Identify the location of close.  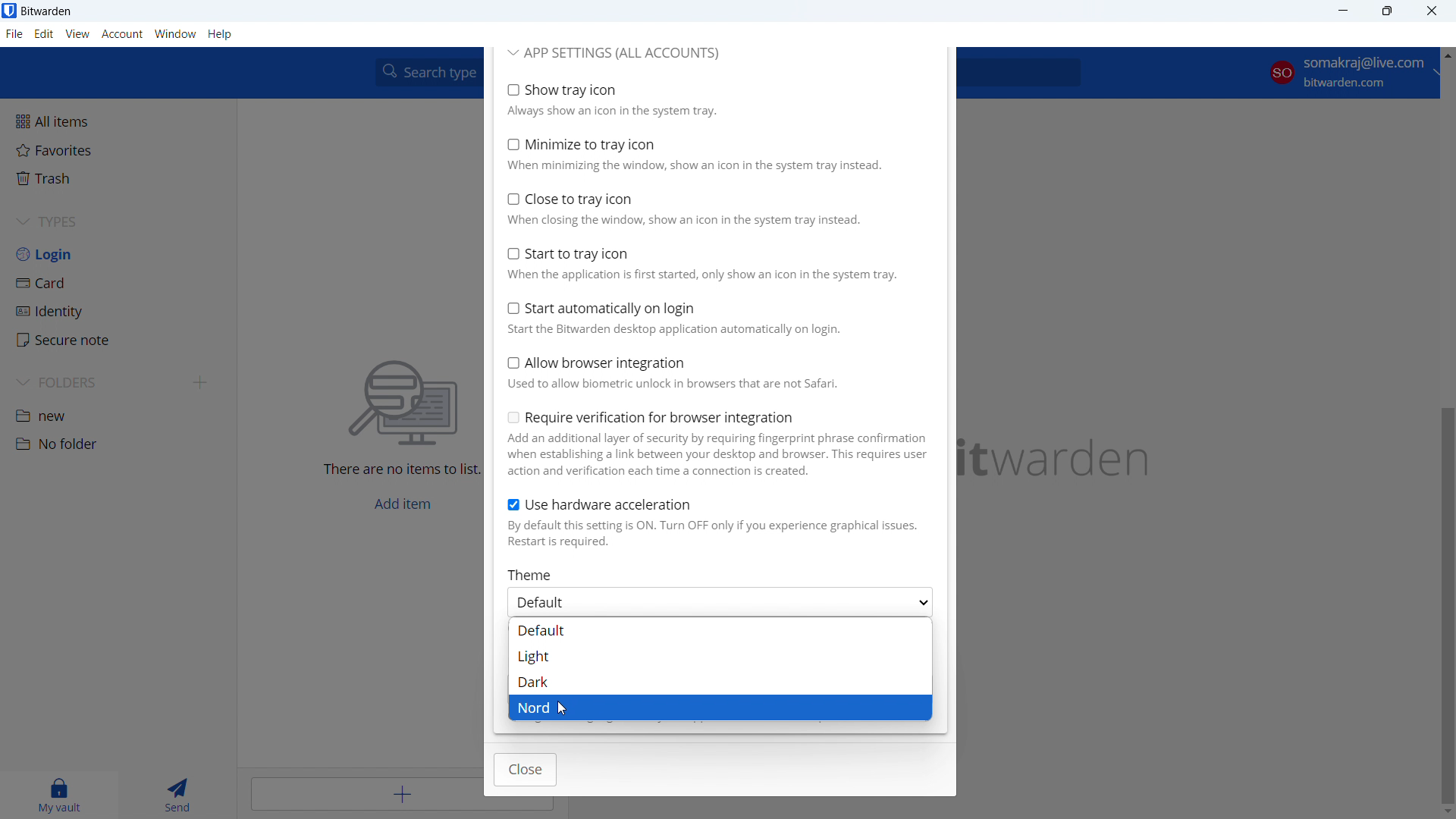
(526, 770).